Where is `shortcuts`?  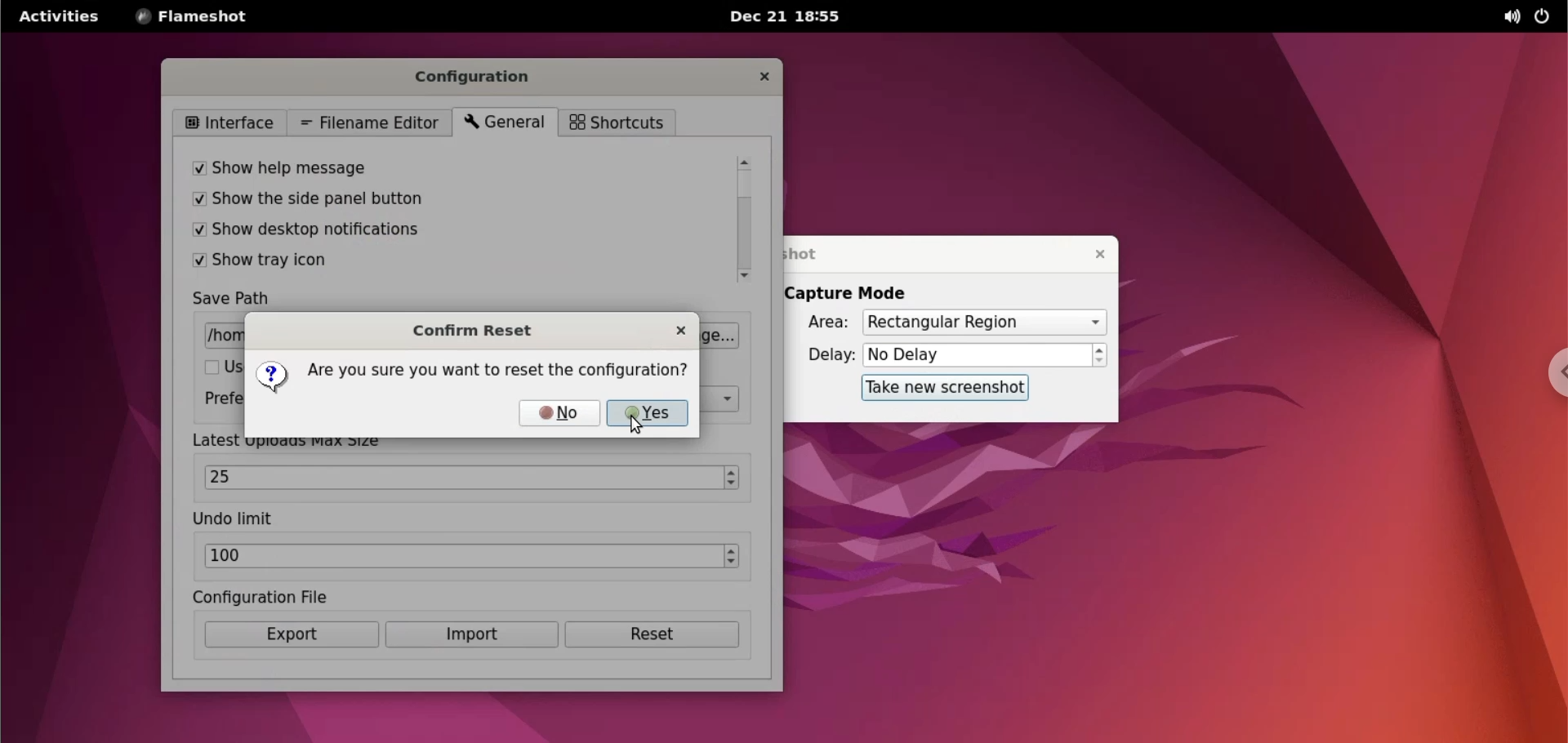 shortcuts is located at coordinates (615, 122).